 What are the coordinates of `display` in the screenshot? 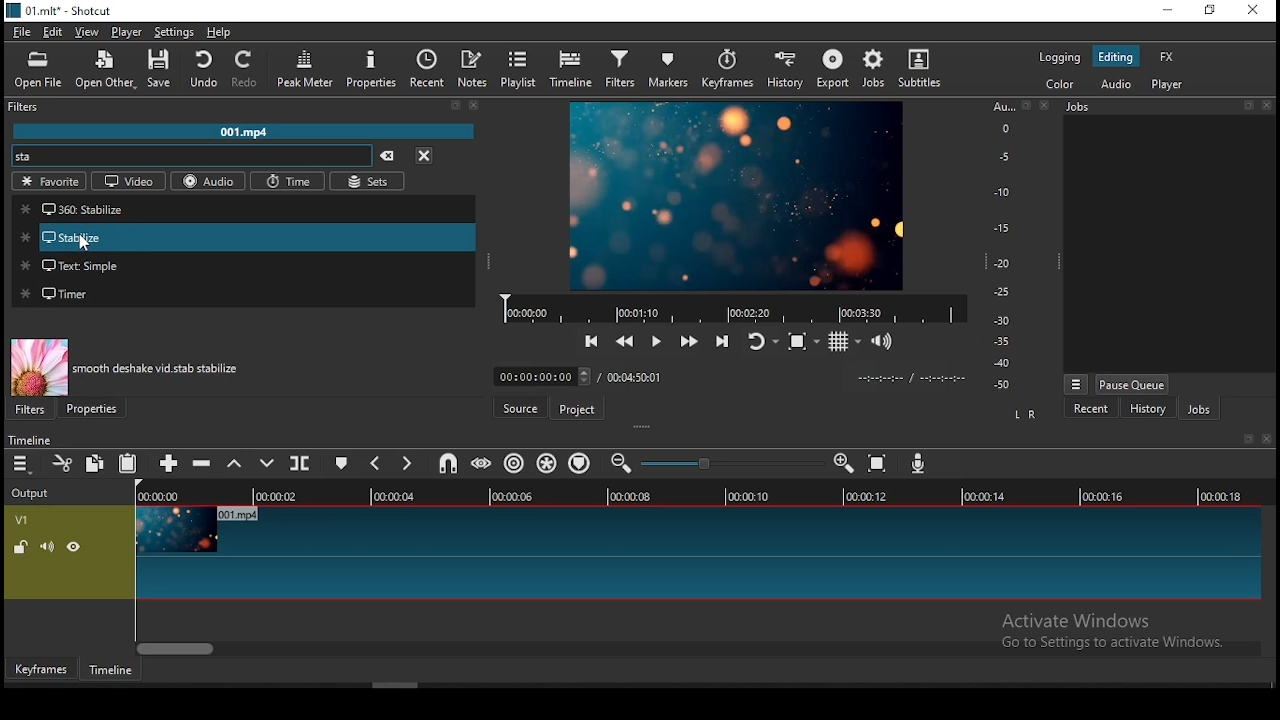 It's located at (1172, 244).